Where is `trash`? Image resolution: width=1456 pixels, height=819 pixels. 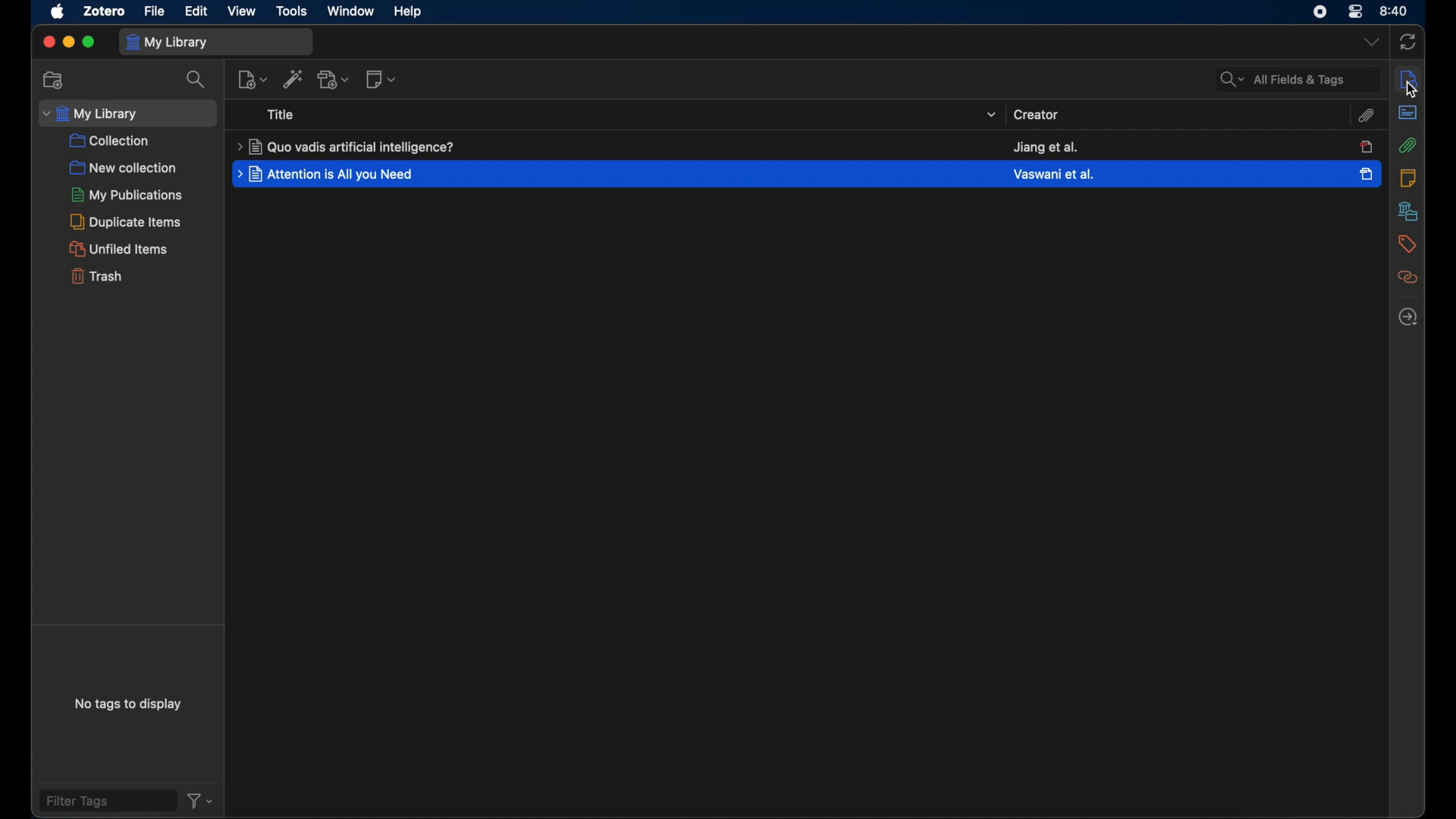
trash is located at coordinates (96, 275).